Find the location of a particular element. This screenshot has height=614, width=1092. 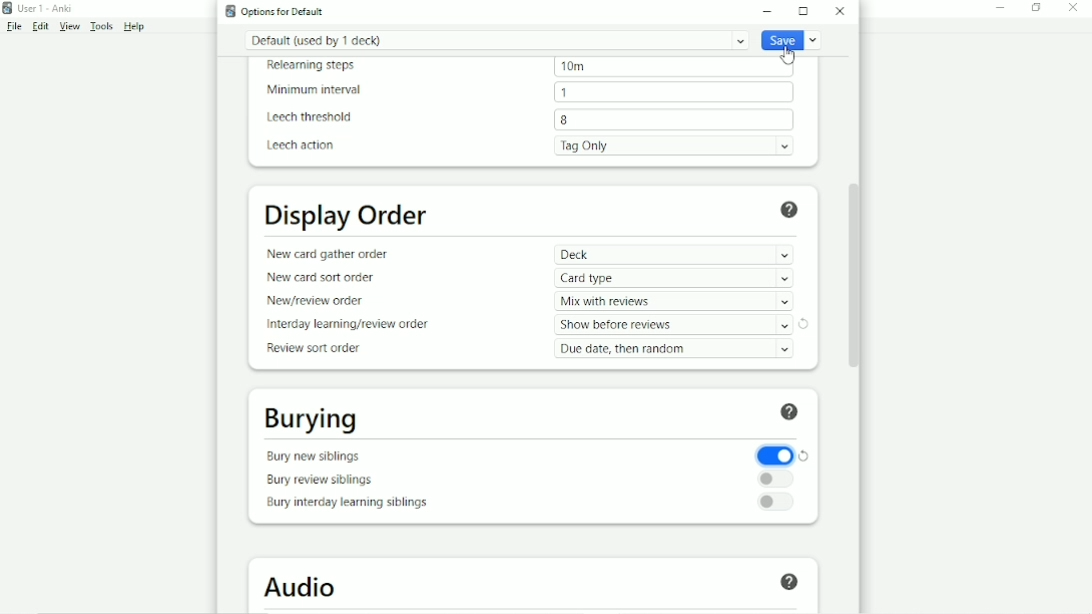

Options for default is located at coordinates (274, 11).